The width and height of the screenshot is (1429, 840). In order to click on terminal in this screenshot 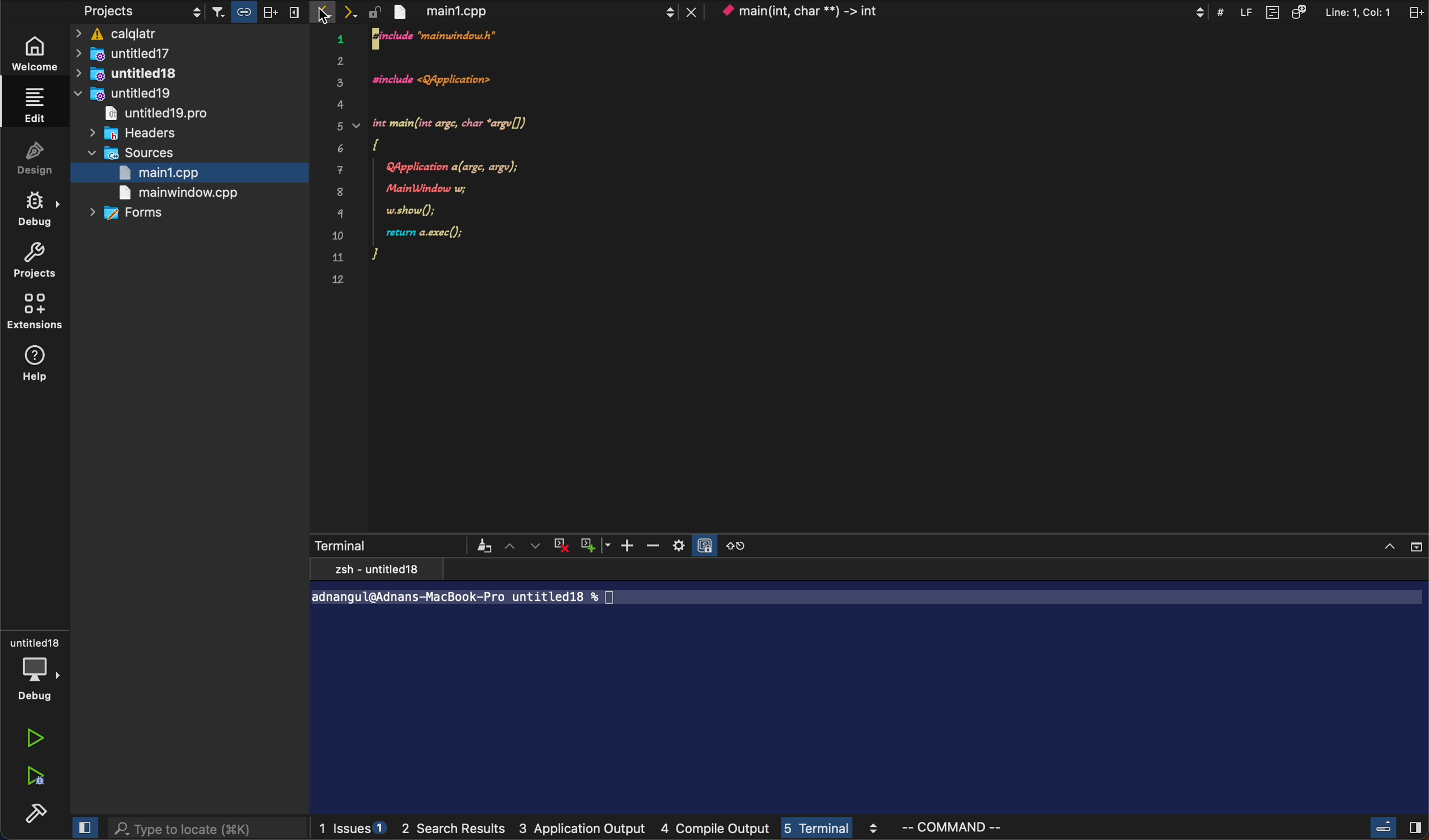, I will do `click(383, 544)`.